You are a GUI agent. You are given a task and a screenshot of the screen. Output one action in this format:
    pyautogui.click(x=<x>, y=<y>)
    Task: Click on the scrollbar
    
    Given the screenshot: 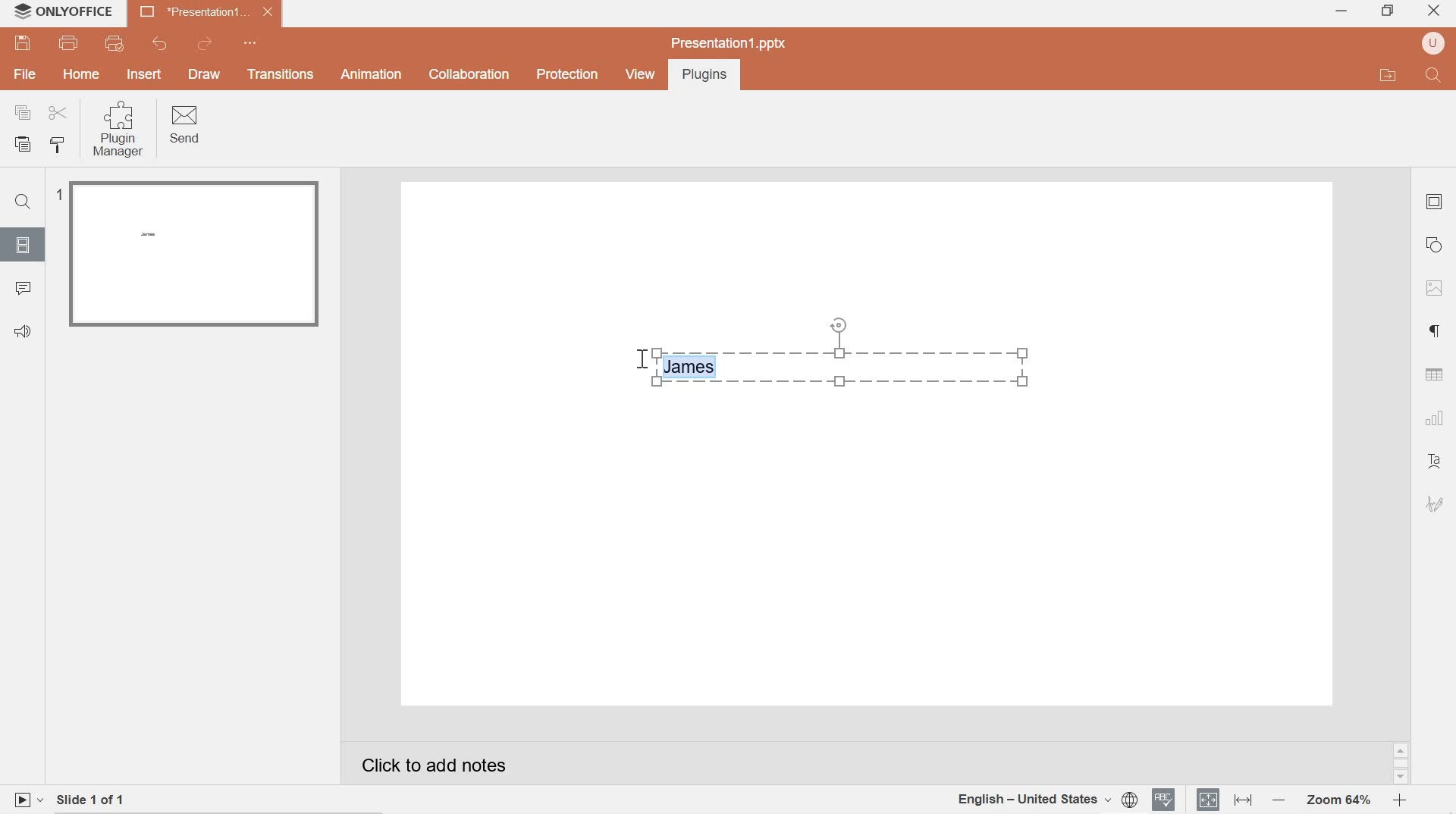 What is the action you would take?
    pyautogui.click(x=1400, y=764)
    